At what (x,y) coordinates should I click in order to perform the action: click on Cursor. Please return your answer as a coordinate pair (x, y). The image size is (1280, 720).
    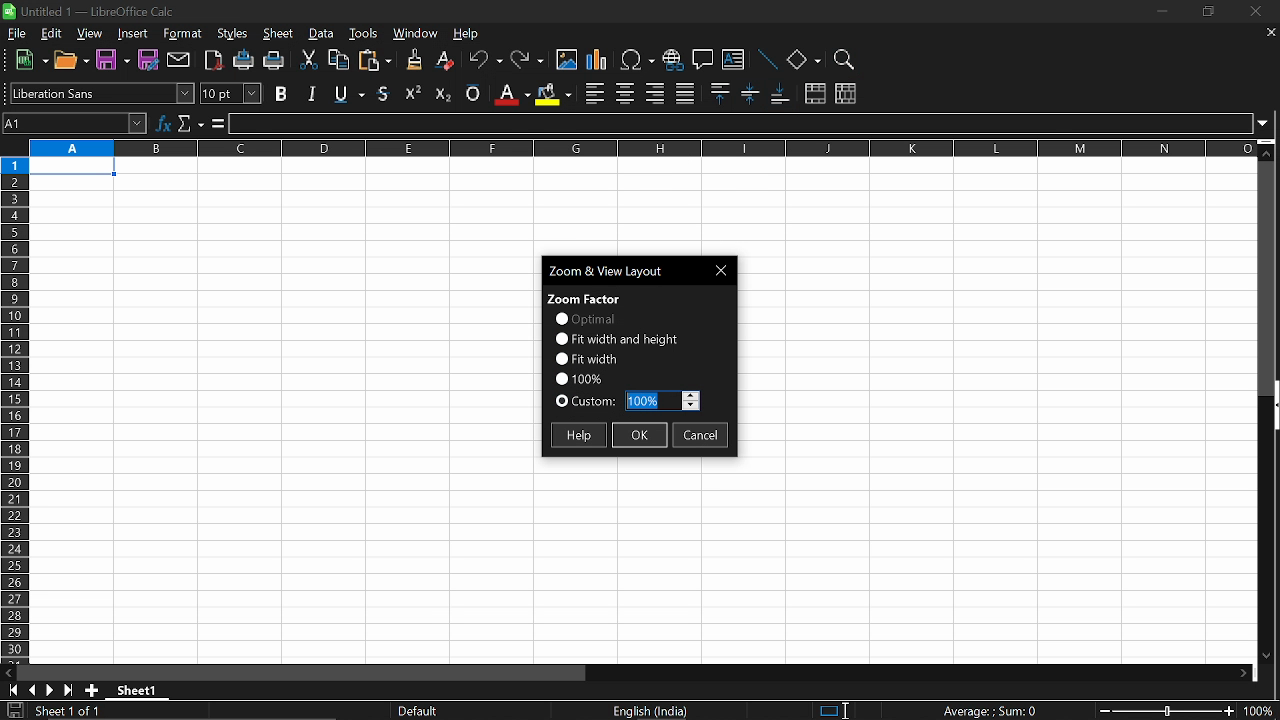
    Looking at the image, I should click on (851, 708).